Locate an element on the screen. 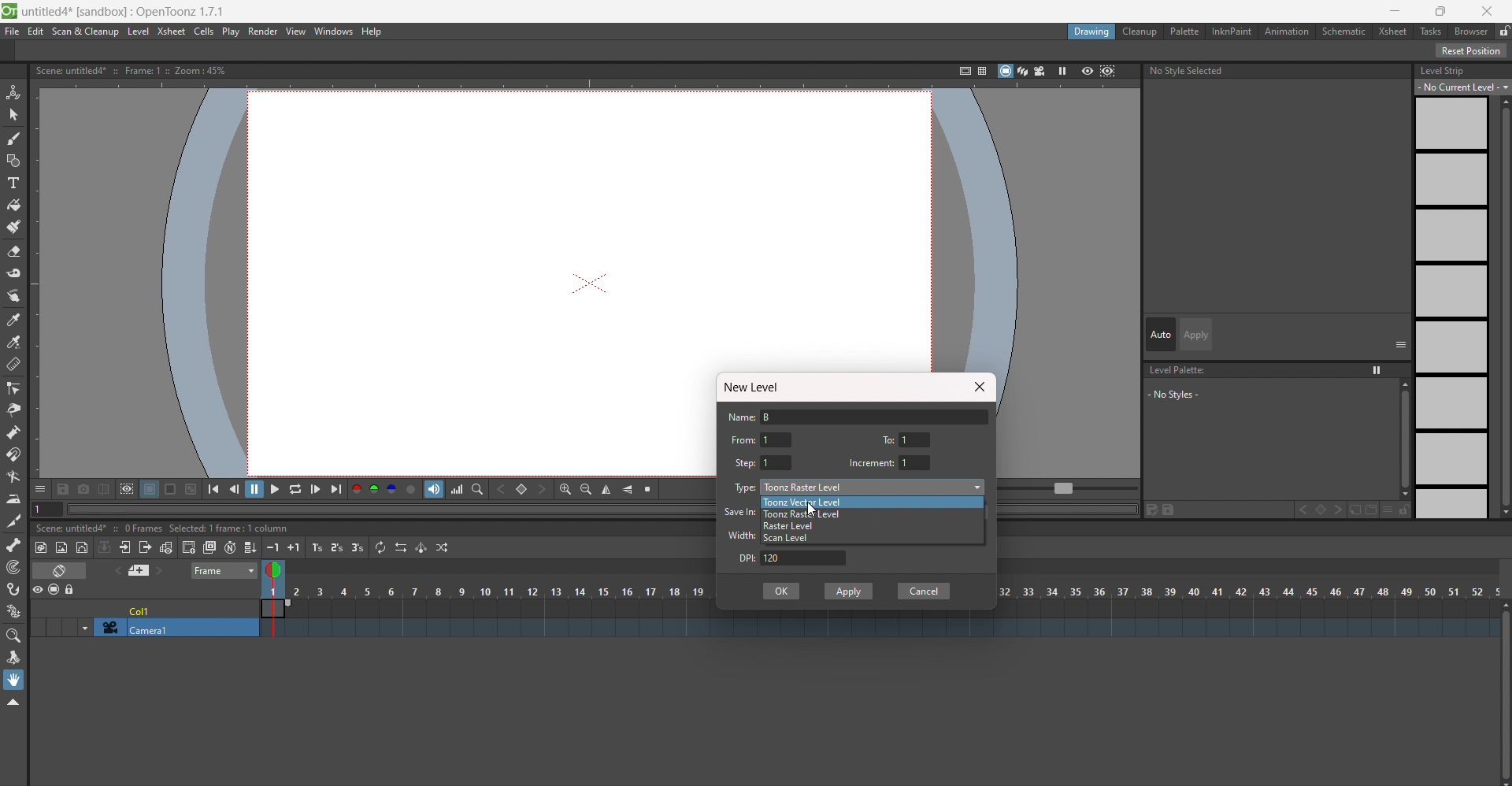 Image resolution: width=1512 pixels, height=786 pixels. Maximise is located at coordinates (1443, 11).